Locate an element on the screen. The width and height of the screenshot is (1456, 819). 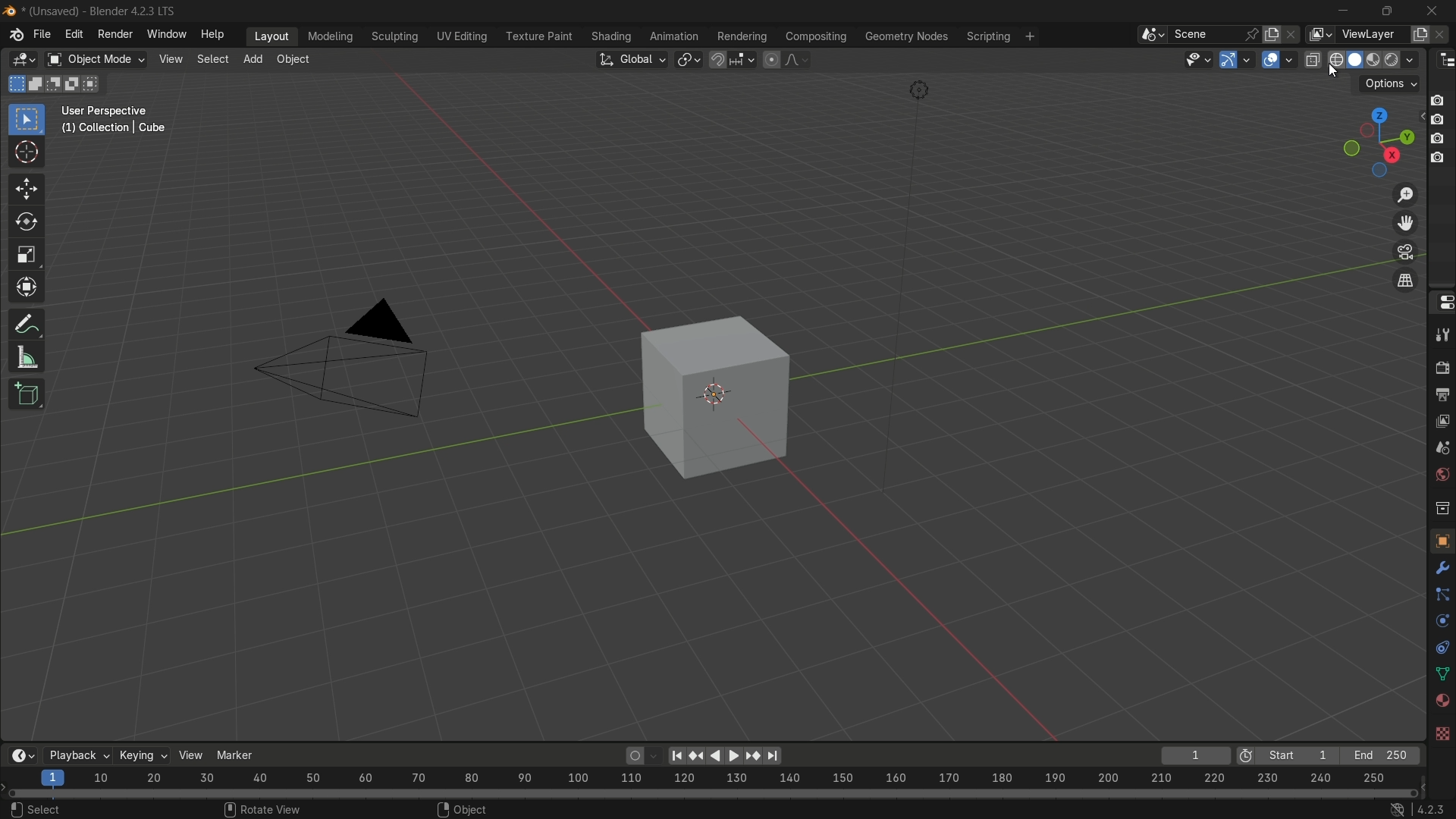
rotate view is located at coordinates (262, 810).